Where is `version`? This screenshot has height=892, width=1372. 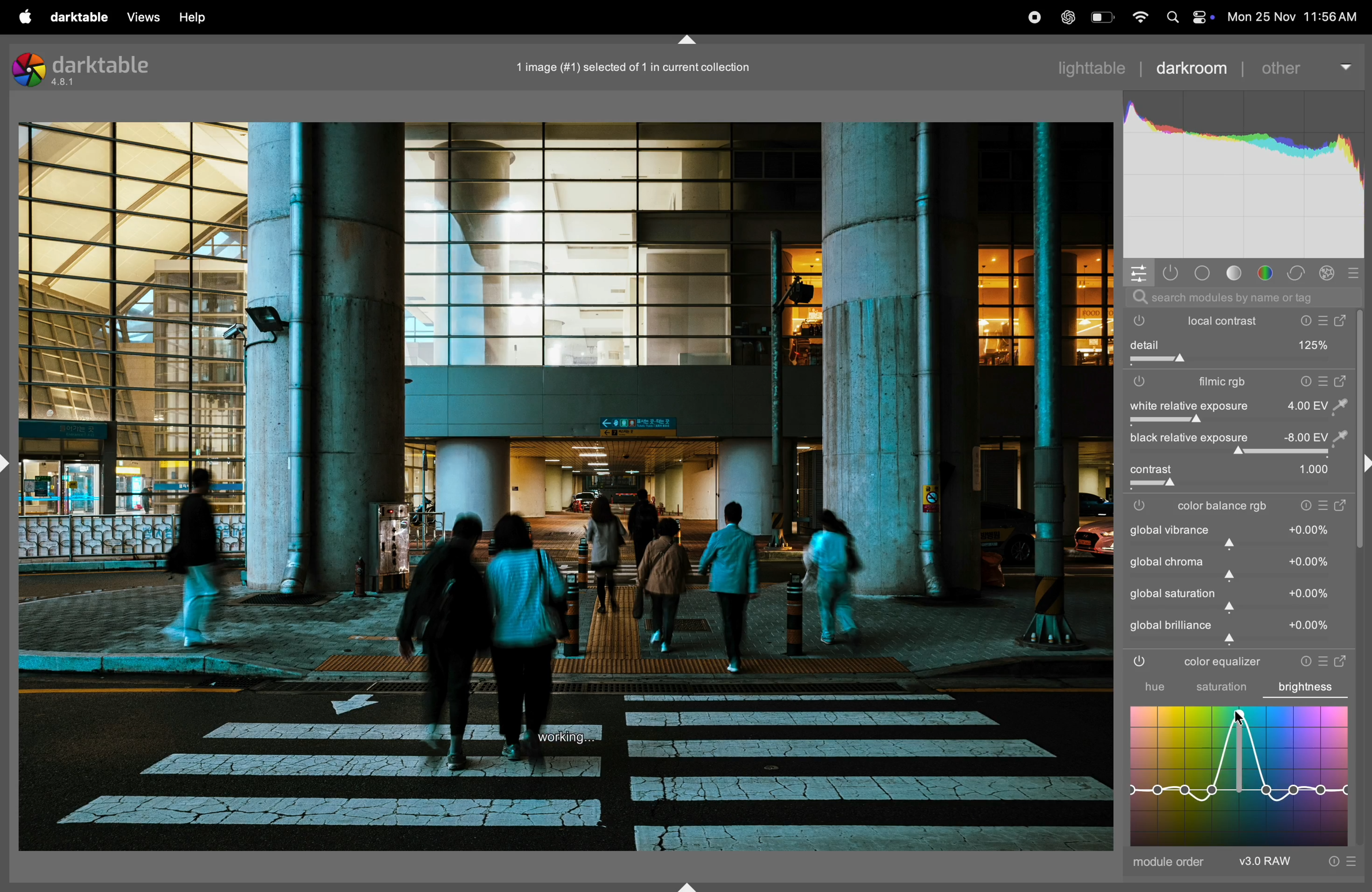
version is located at coordinates (66, 84).